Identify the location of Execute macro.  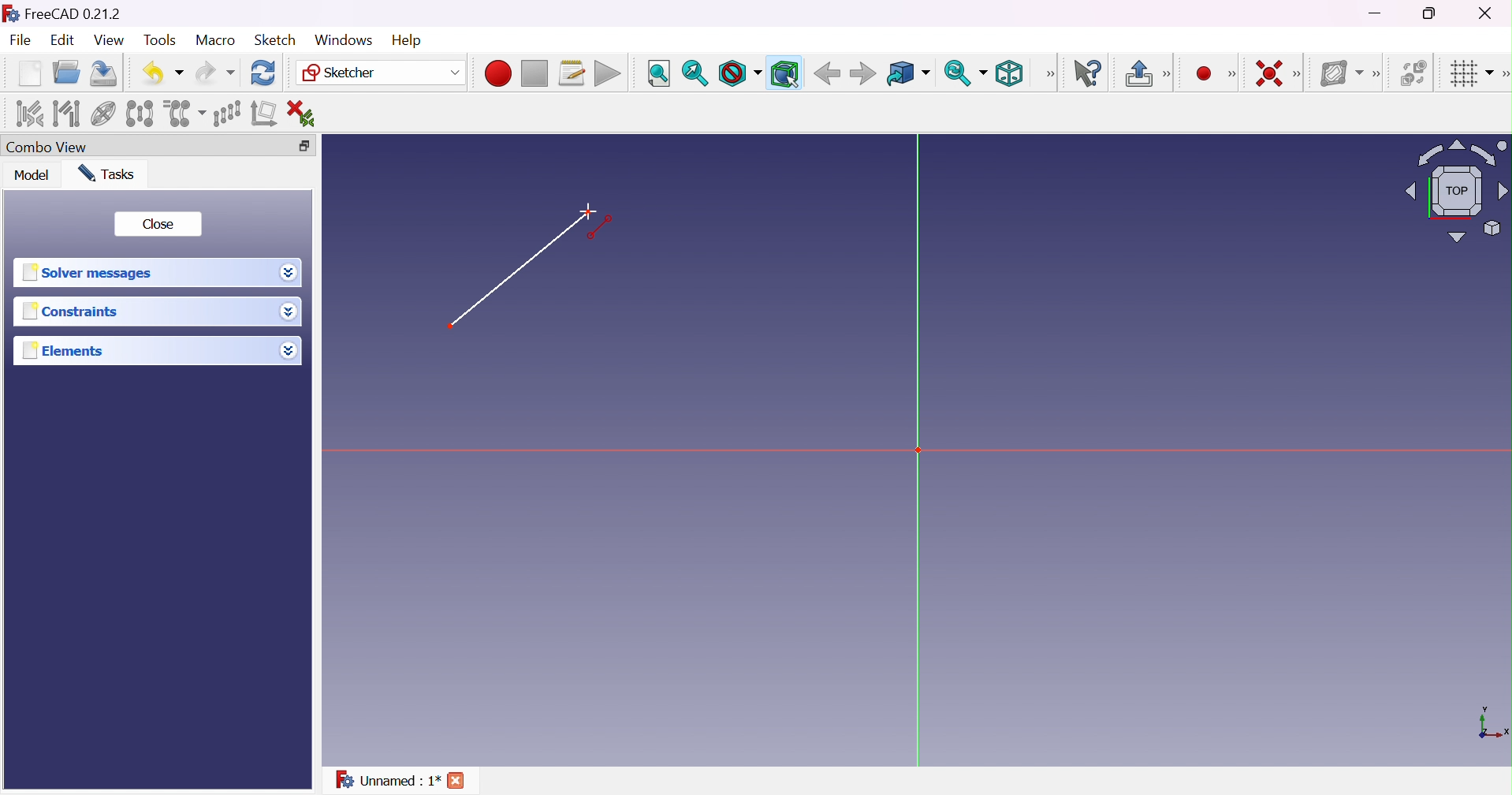
(608, 73).